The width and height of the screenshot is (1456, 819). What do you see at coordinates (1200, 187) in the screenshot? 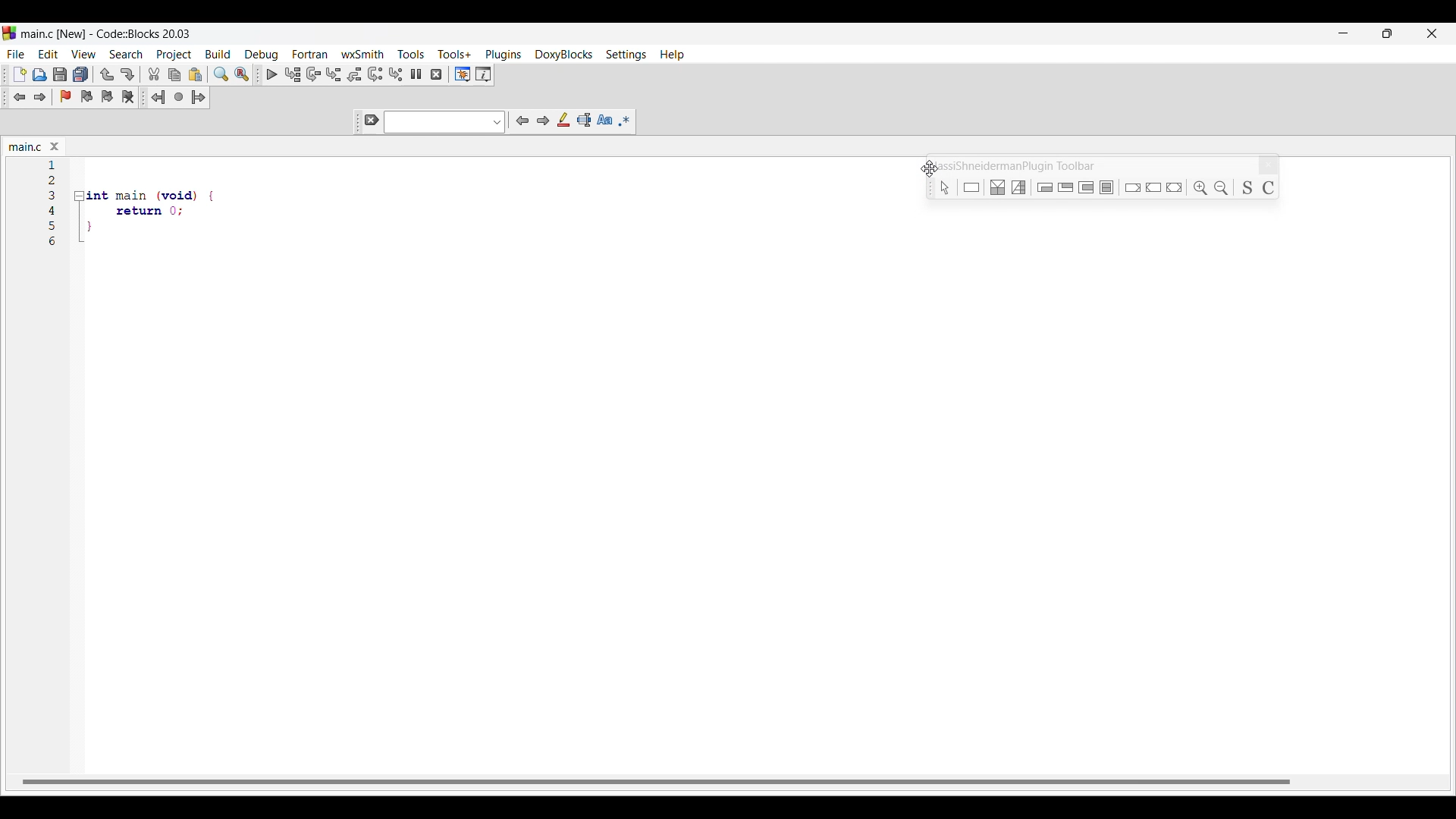
I see `` at bounding box center [1200, 187].